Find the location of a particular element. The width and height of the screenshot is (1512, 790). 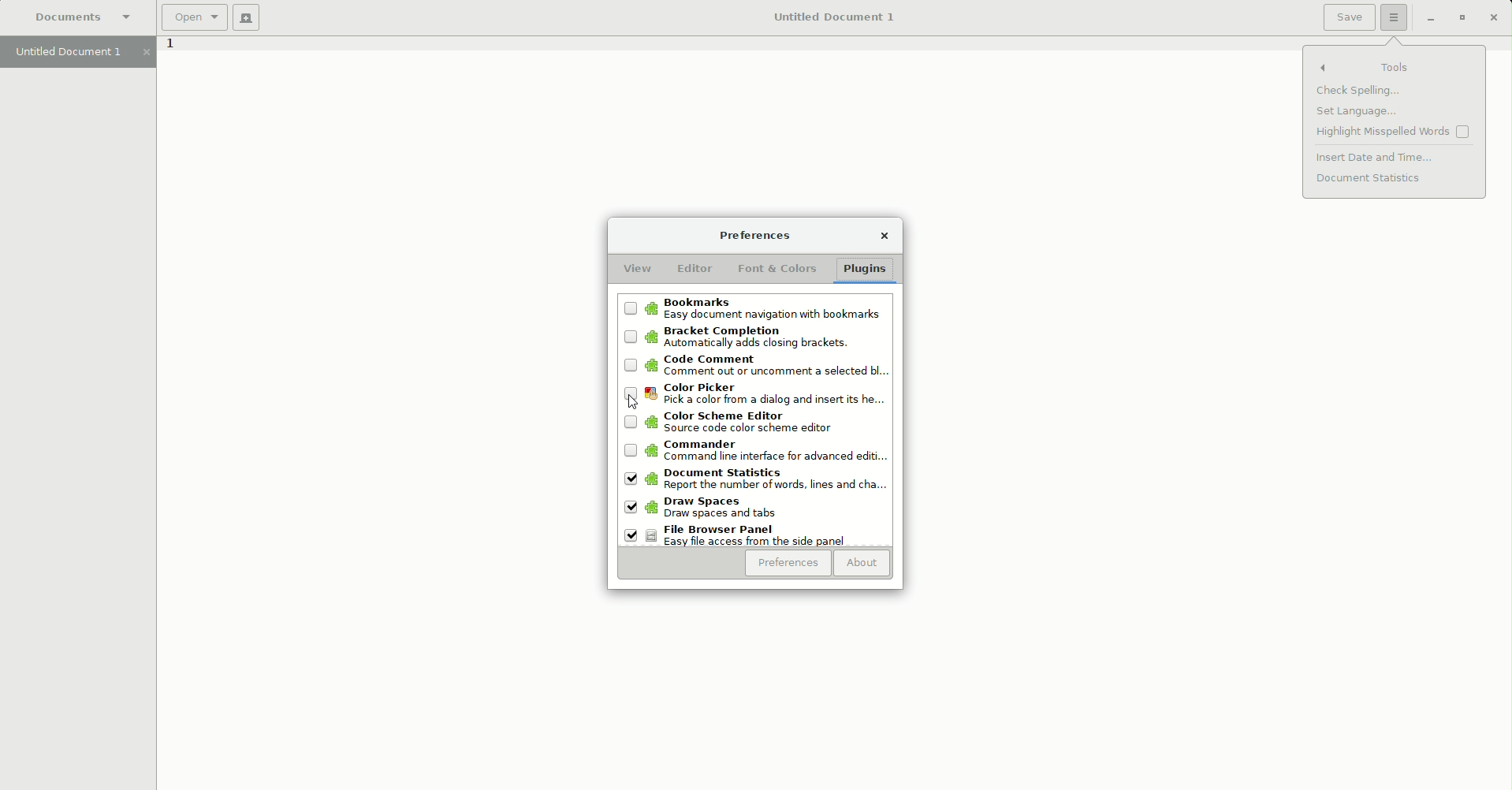

Set language is located at coordinates (1354, 112).